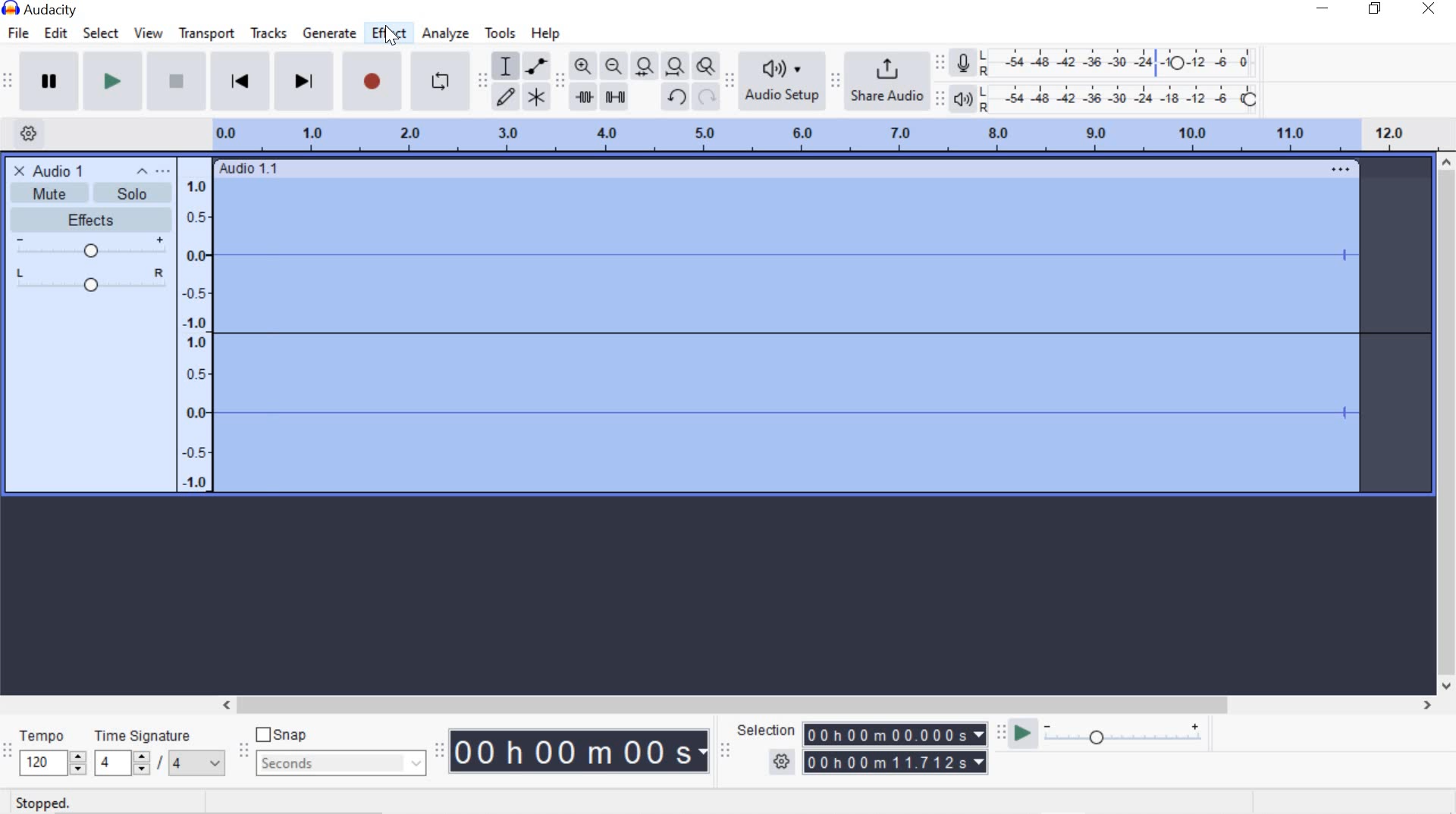  I want to click on Selection Toolbar, so click(724, 750).